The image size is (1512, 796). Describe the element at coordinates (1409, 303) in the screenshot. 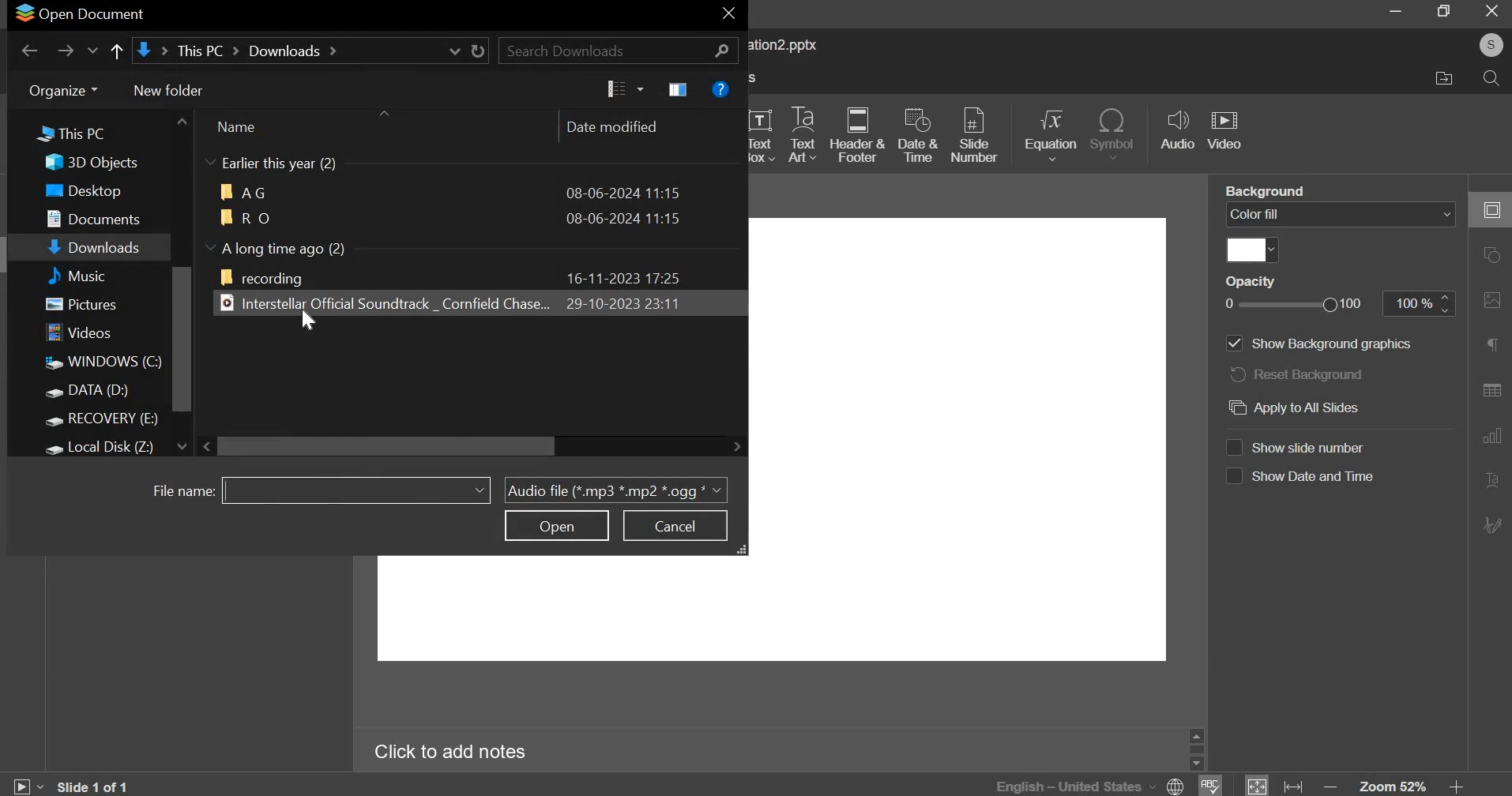

I see `100%` at that location.